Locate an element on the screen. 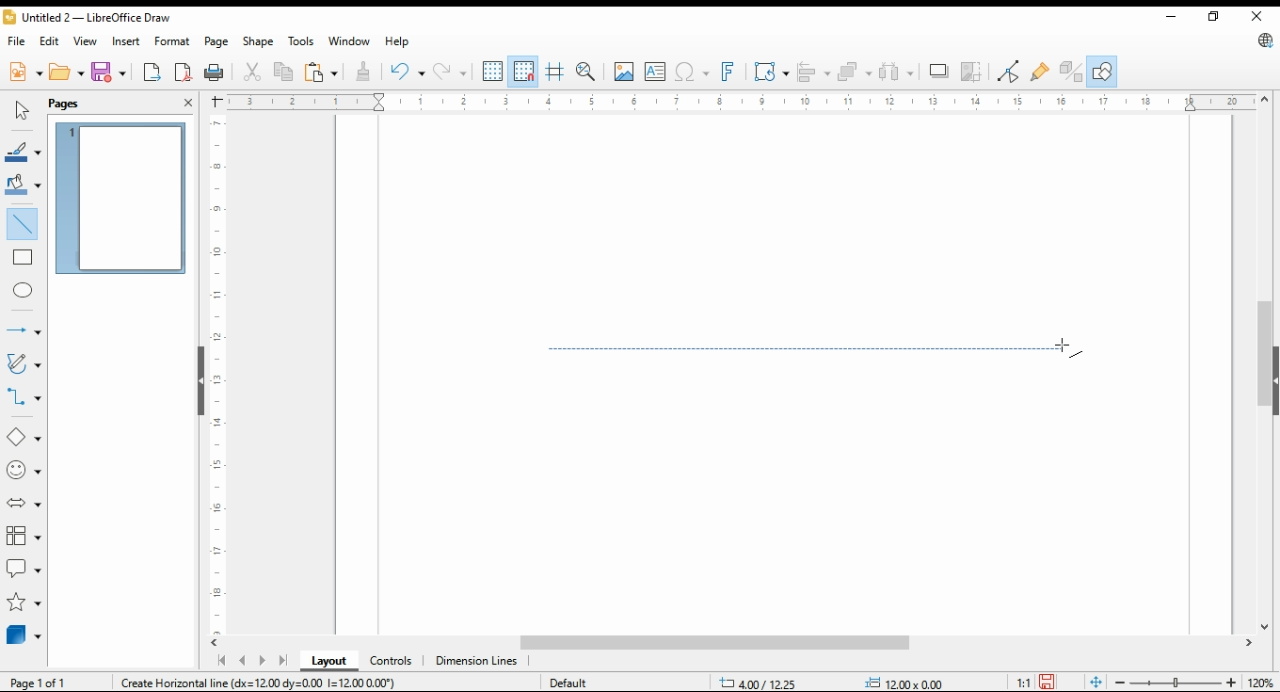 This screenshot has height=692, width=1280. format is located at coordinates (174, 43).